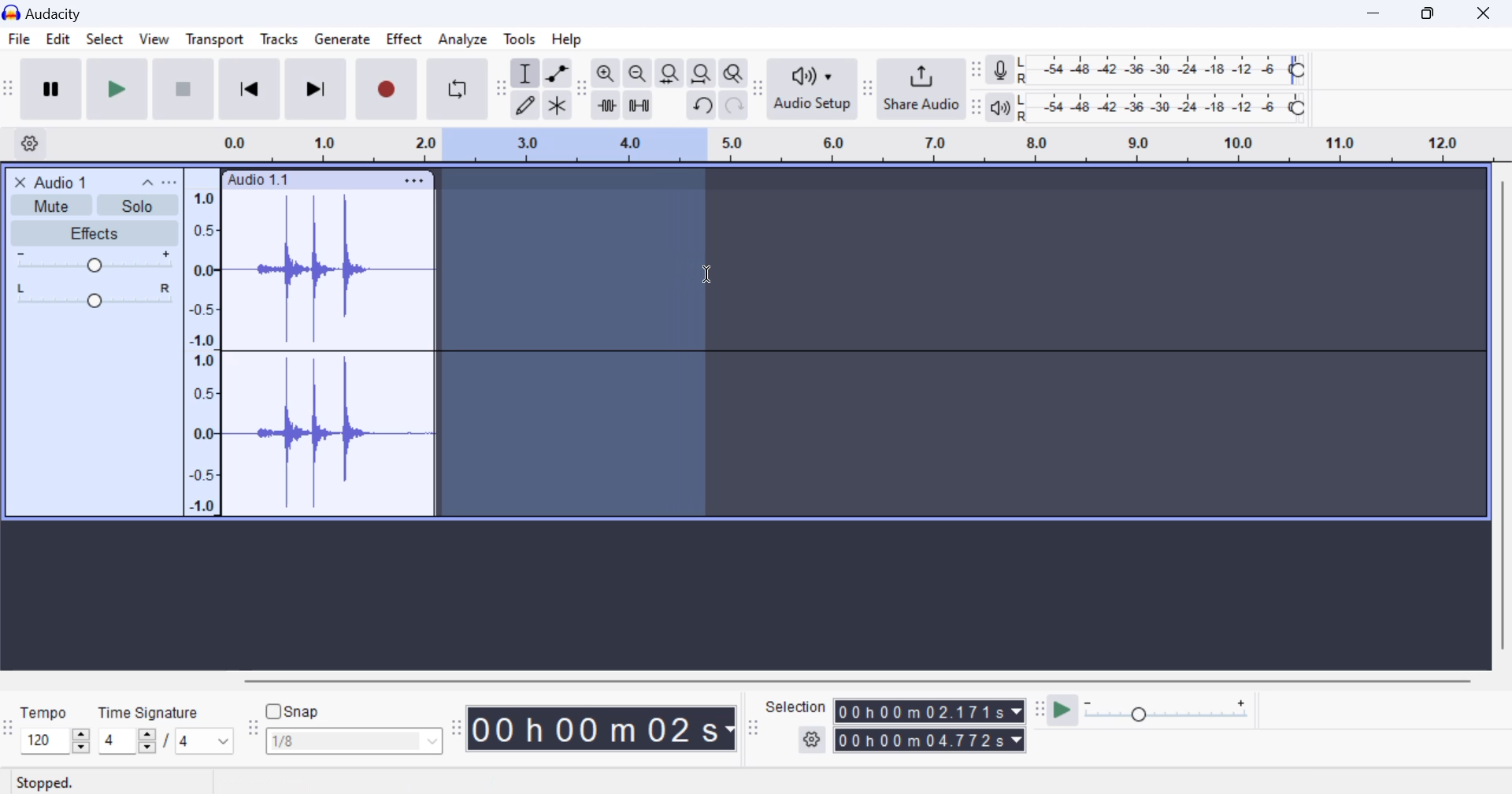 The height and width of the screenshot is (794, 1512). What do you see at coordinates (1432, 12) in the screenshot?
I see `Minimize` at bounding box center [1432, 12].